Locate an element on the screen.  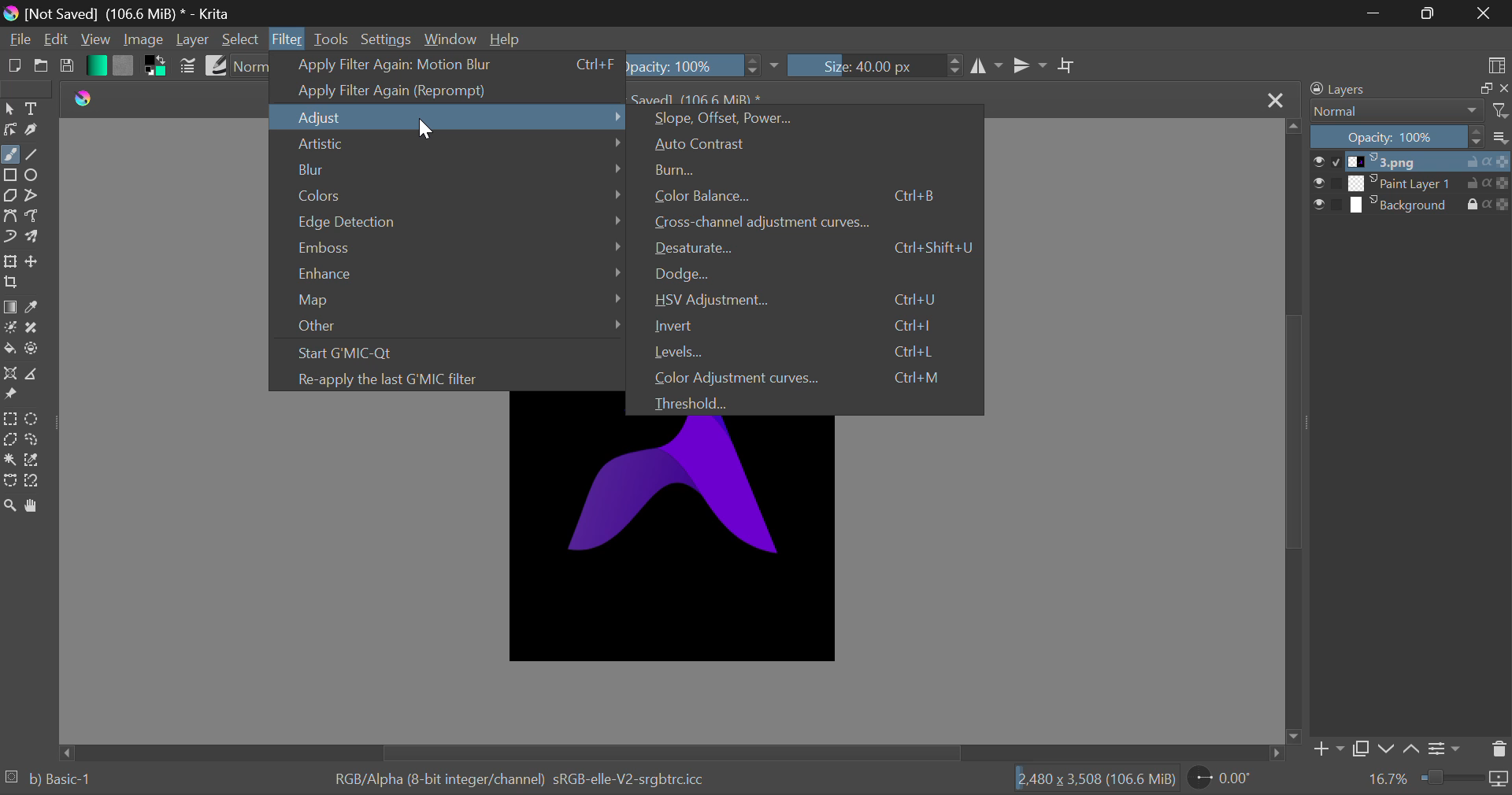
Image is located at coordinates (140, 39).